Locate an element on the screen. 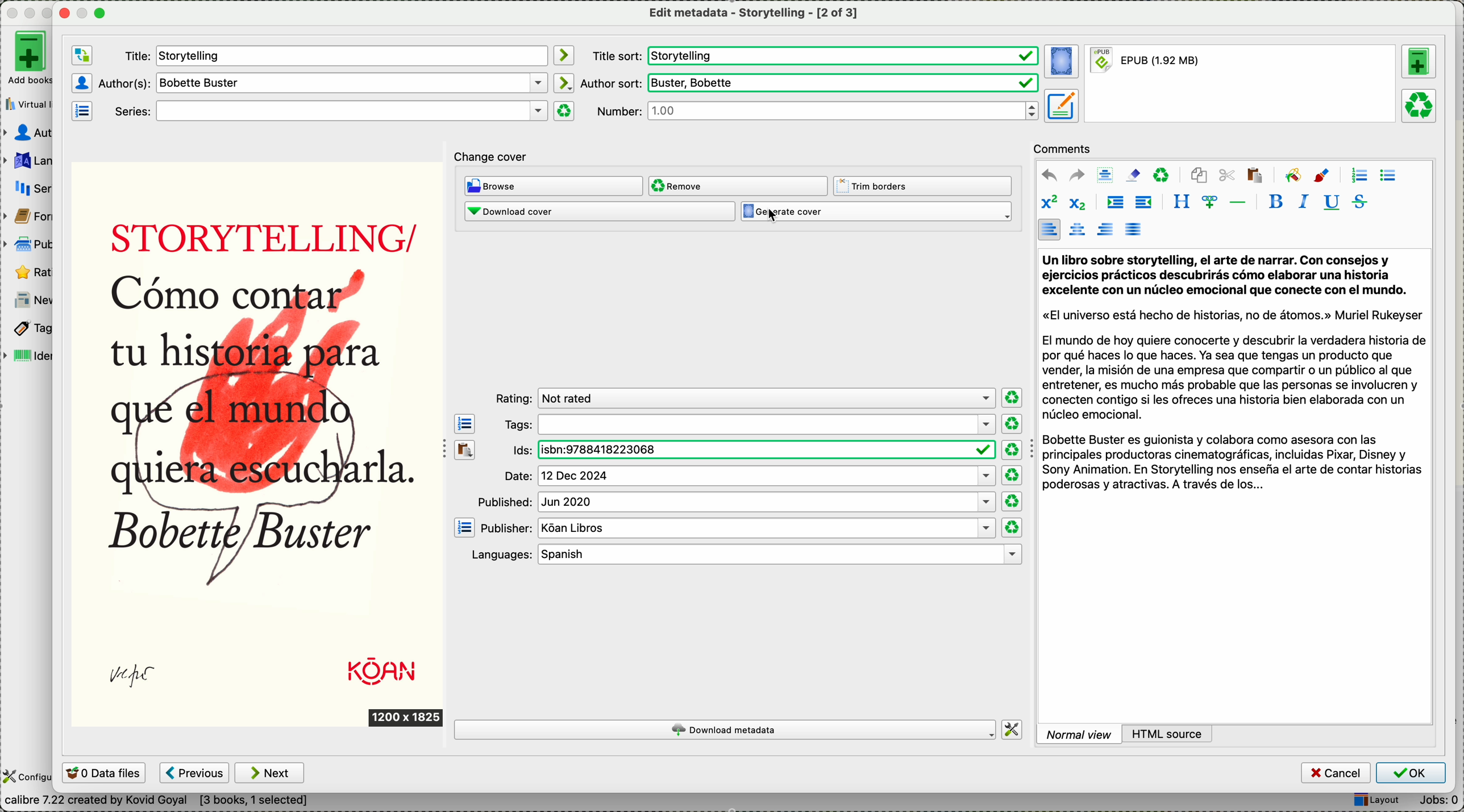  series is located at coordinates (327, 111).